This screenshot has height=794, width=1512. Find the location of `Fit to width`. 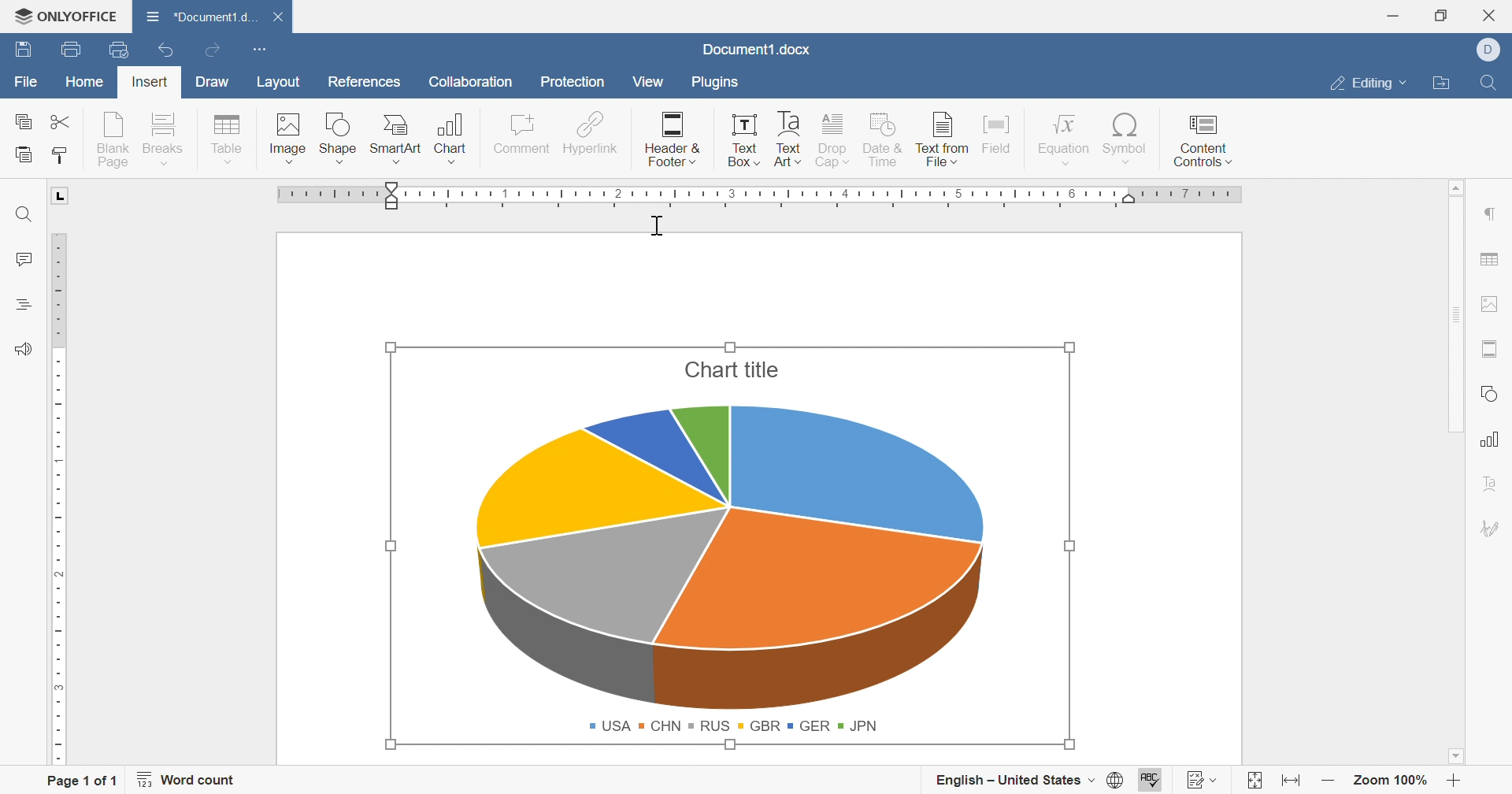

Fit to width is located at coordinates (1289, 778).